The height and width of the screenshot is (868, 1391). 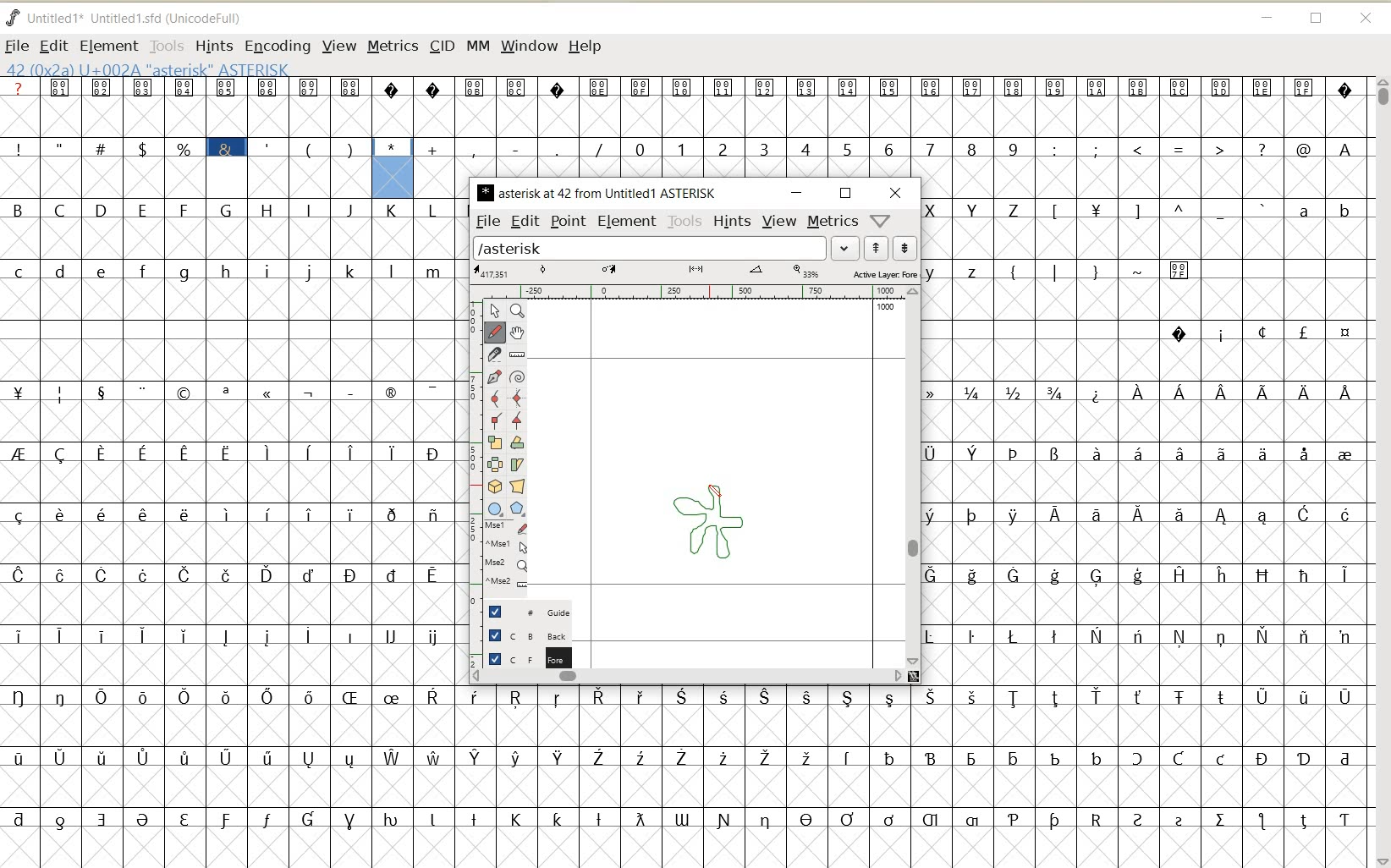 I want to click on ENCODING, so click(x=277, y=47).